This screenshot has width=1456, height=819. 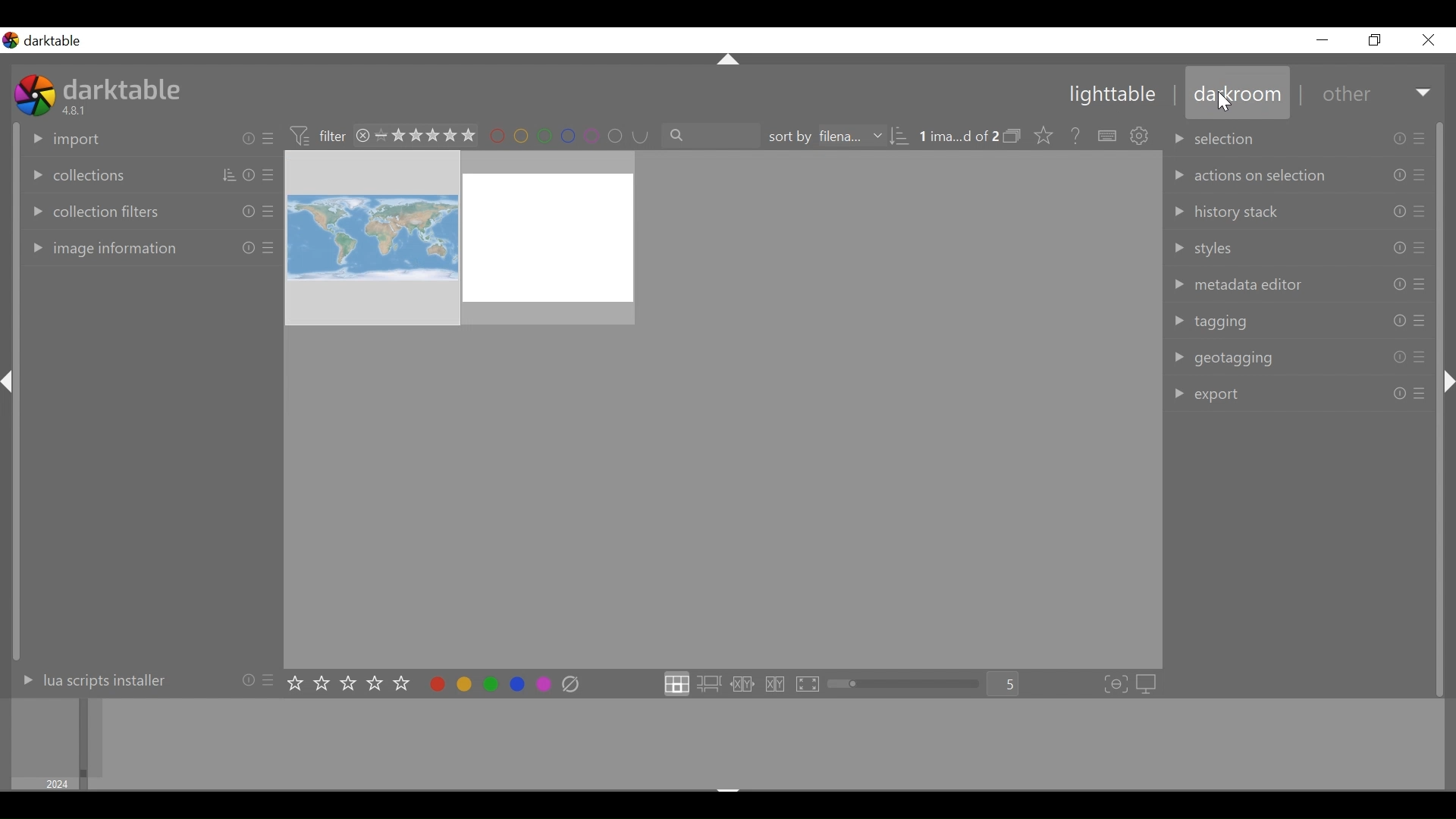 What do you see at coordinates (59, 783) in the screenshot?
I see `2024` at bounding box center [59, 783].